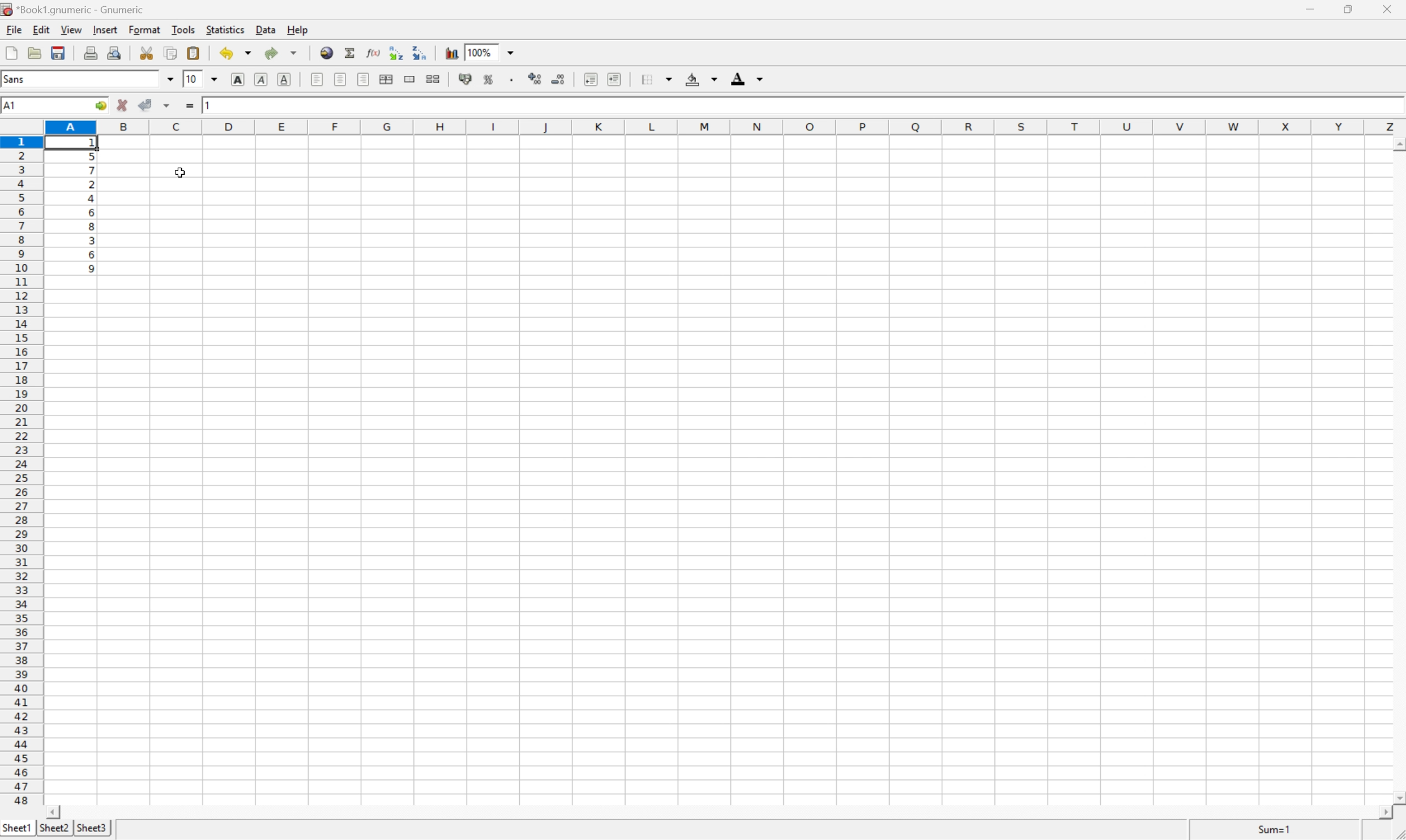  What do you see at coordinates (1315, 10) in the screenshot?
I see `minimize` at bounding box center [1315, 10].